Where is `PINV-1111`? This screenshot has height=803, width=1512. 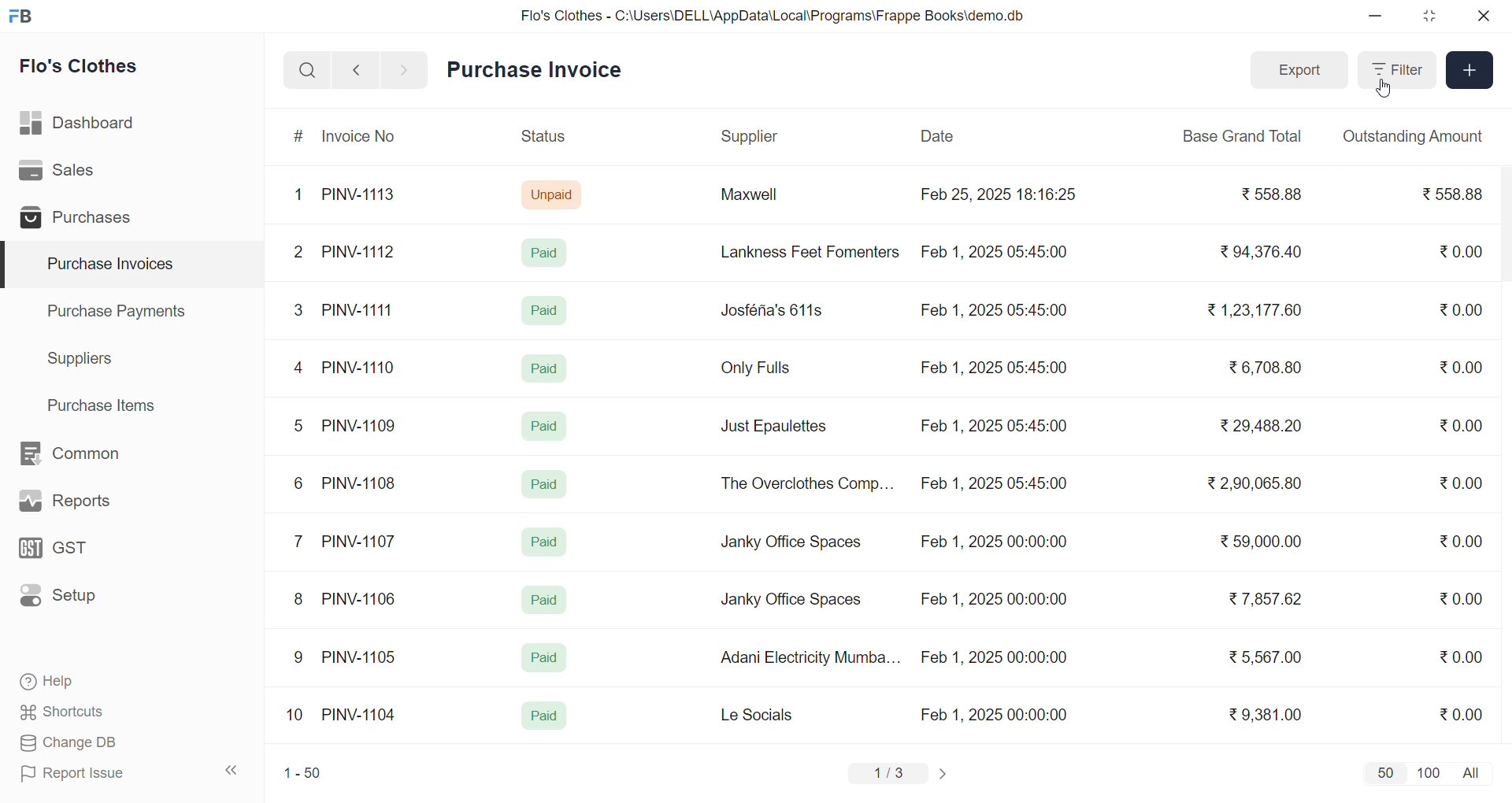 PINV-1111 is located at coordinates (359, 309).